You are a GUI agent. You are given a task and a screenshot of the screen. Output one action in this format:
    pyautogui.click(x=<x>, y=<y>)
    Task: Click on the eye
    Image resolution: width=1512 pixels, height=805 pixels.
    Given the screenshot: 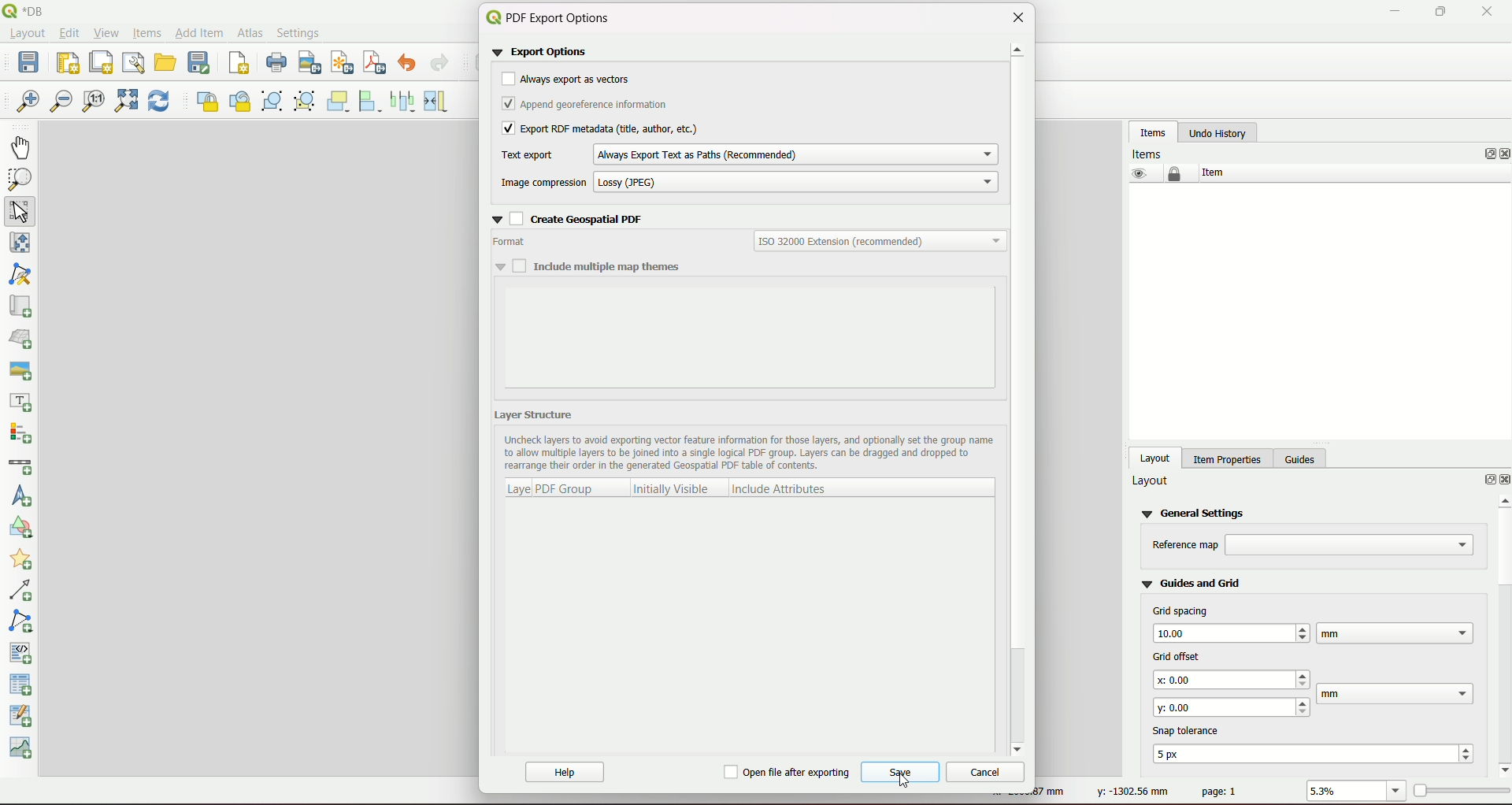 What is the action you would take?
    pyautogui.click(x=1137, y=173)
    